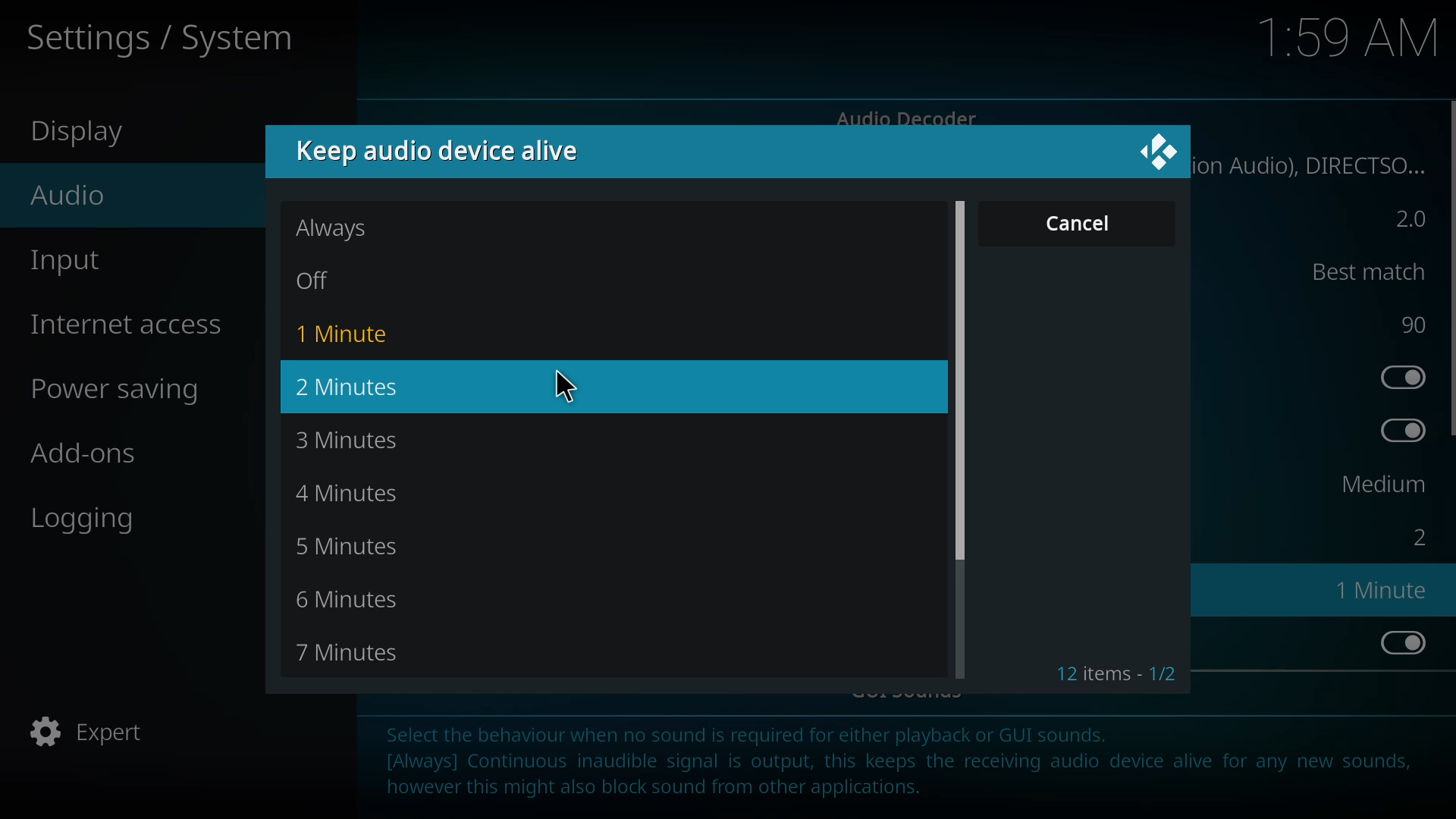 The image size is (1456, 819). I want to click on input, so click(70, 262).